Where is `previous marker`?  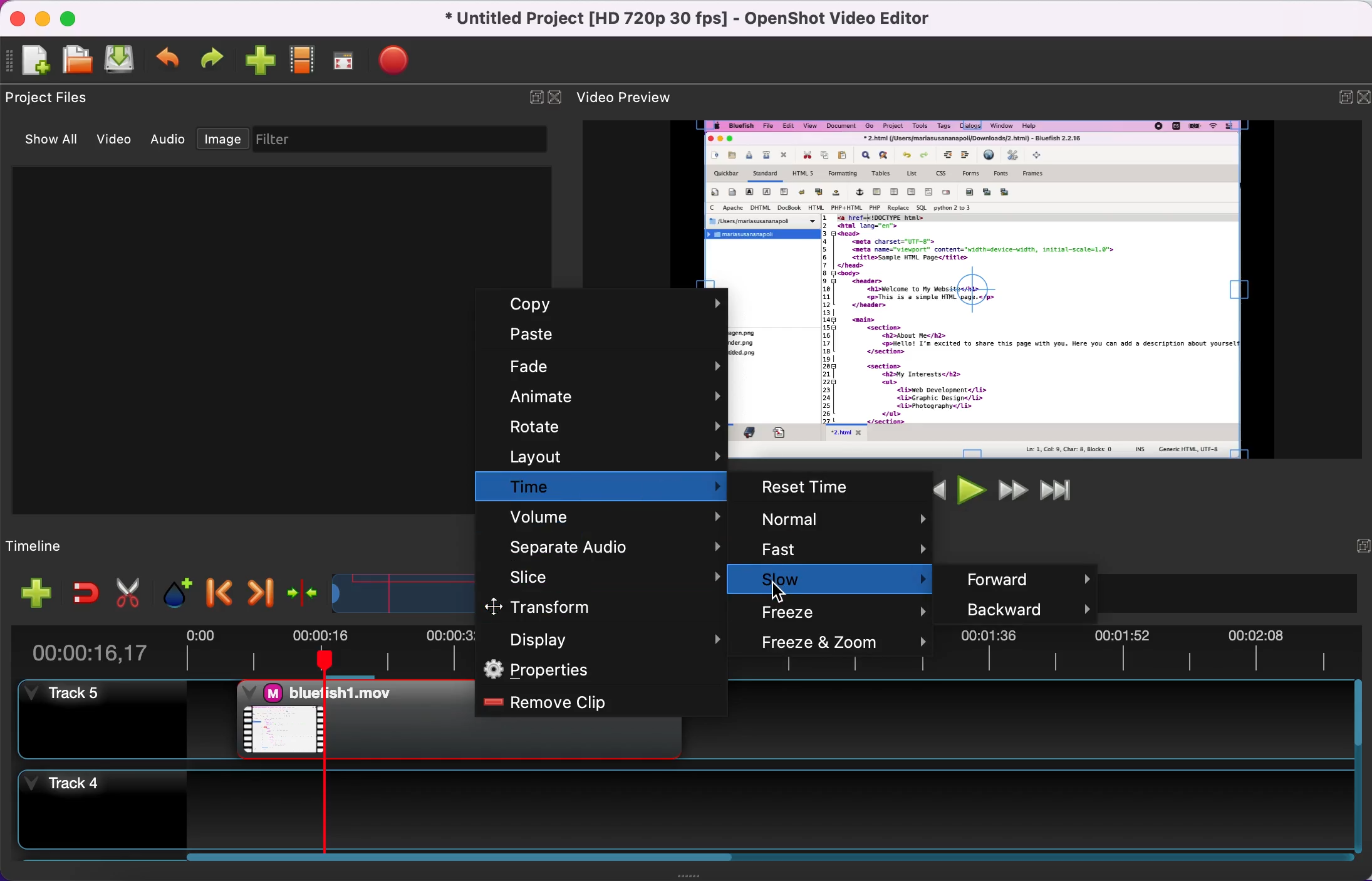 previous marker is located at coordinates (217, 588).